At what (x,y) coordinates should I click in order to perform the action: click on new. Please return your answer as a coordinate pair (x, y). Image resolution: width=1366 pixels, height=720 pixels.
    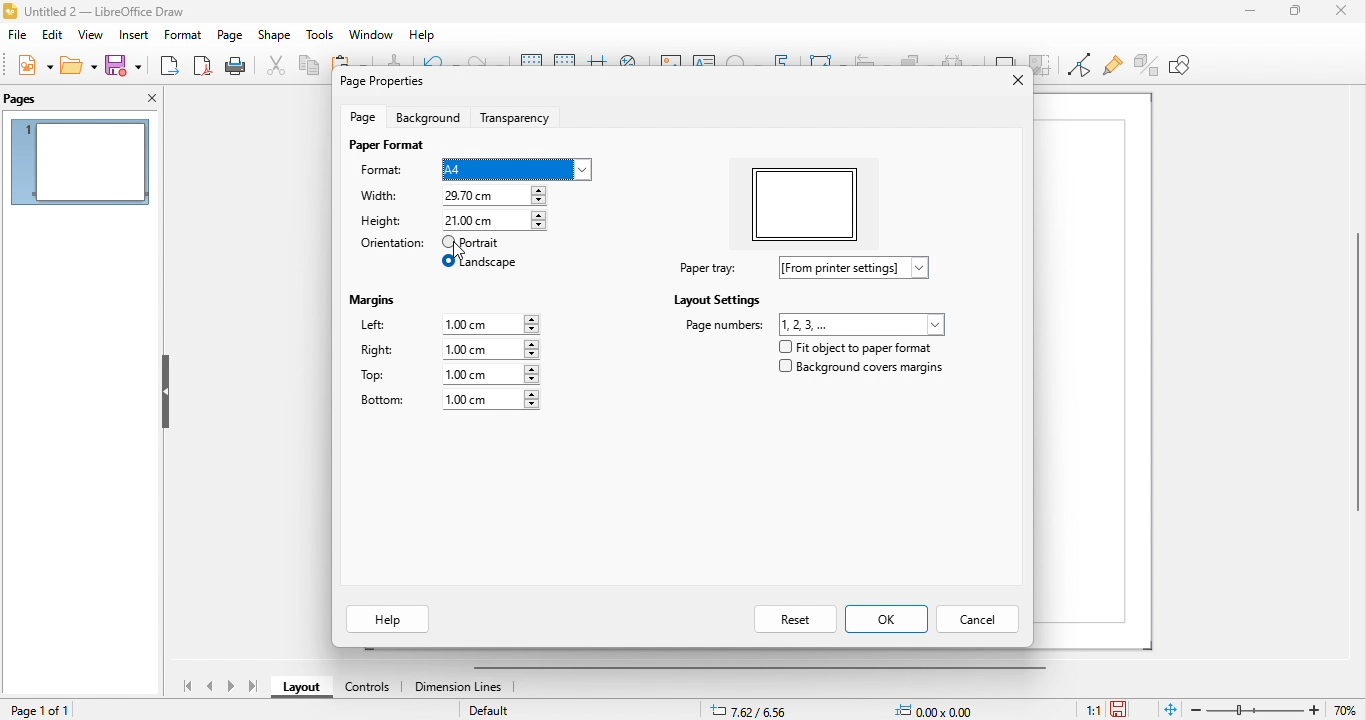
    Looking at the image, I should click on (33, 64).